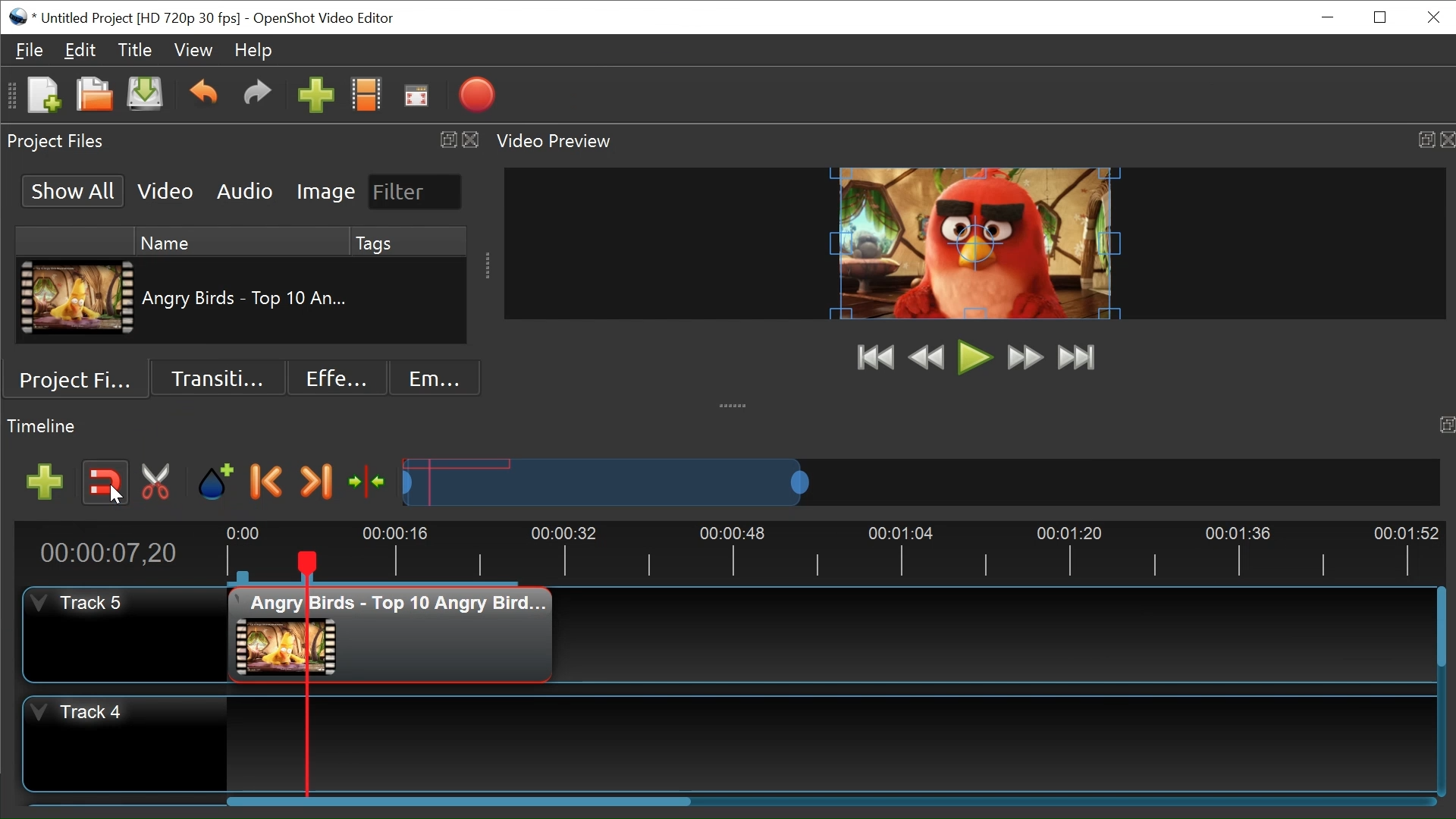 The image size is (1456, 819). What do you see at coordinates (728, 426) in the screenshot?
I see `Timeline Panel` at bounding box center [728, 426].